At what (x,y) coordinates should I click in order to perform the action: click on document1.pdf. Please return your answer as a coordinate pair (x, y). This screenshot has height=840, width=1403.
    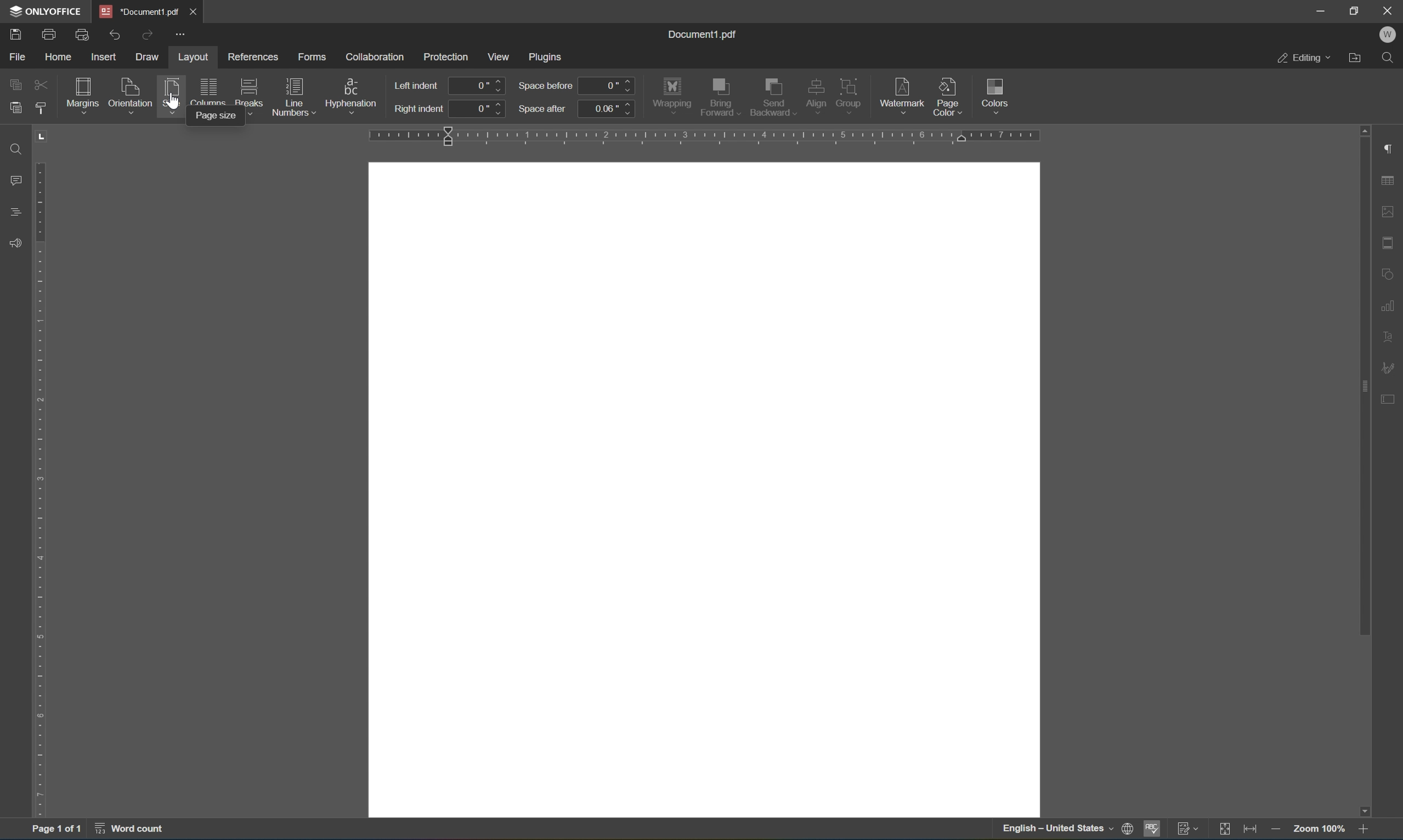
    Looking at the image, I should click on (705, 34).